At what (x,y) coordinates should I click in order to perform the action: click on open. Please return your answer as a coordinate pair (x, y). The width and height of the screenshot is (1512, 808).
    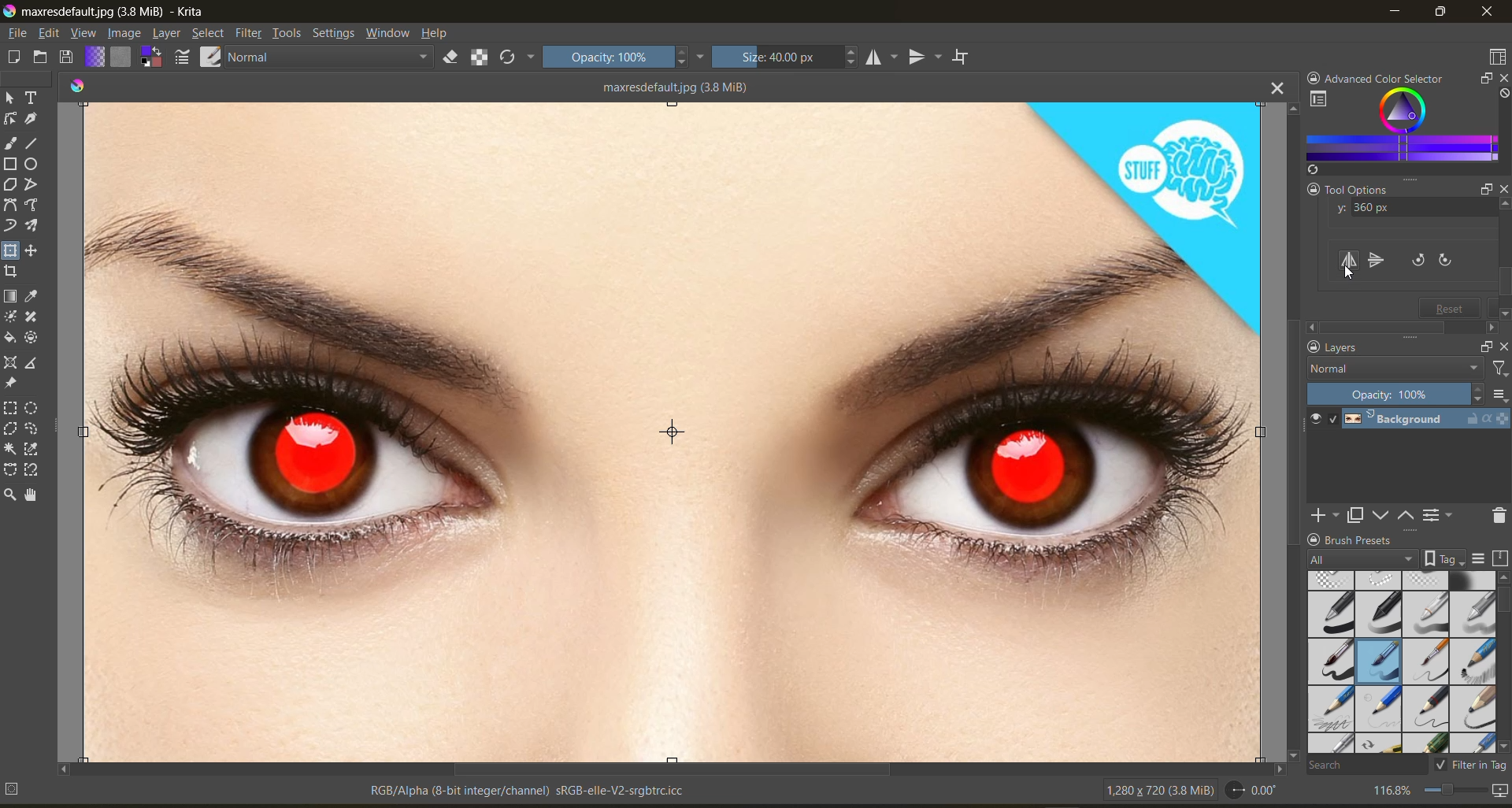
    Looking at the image, I should click on (41, 58).